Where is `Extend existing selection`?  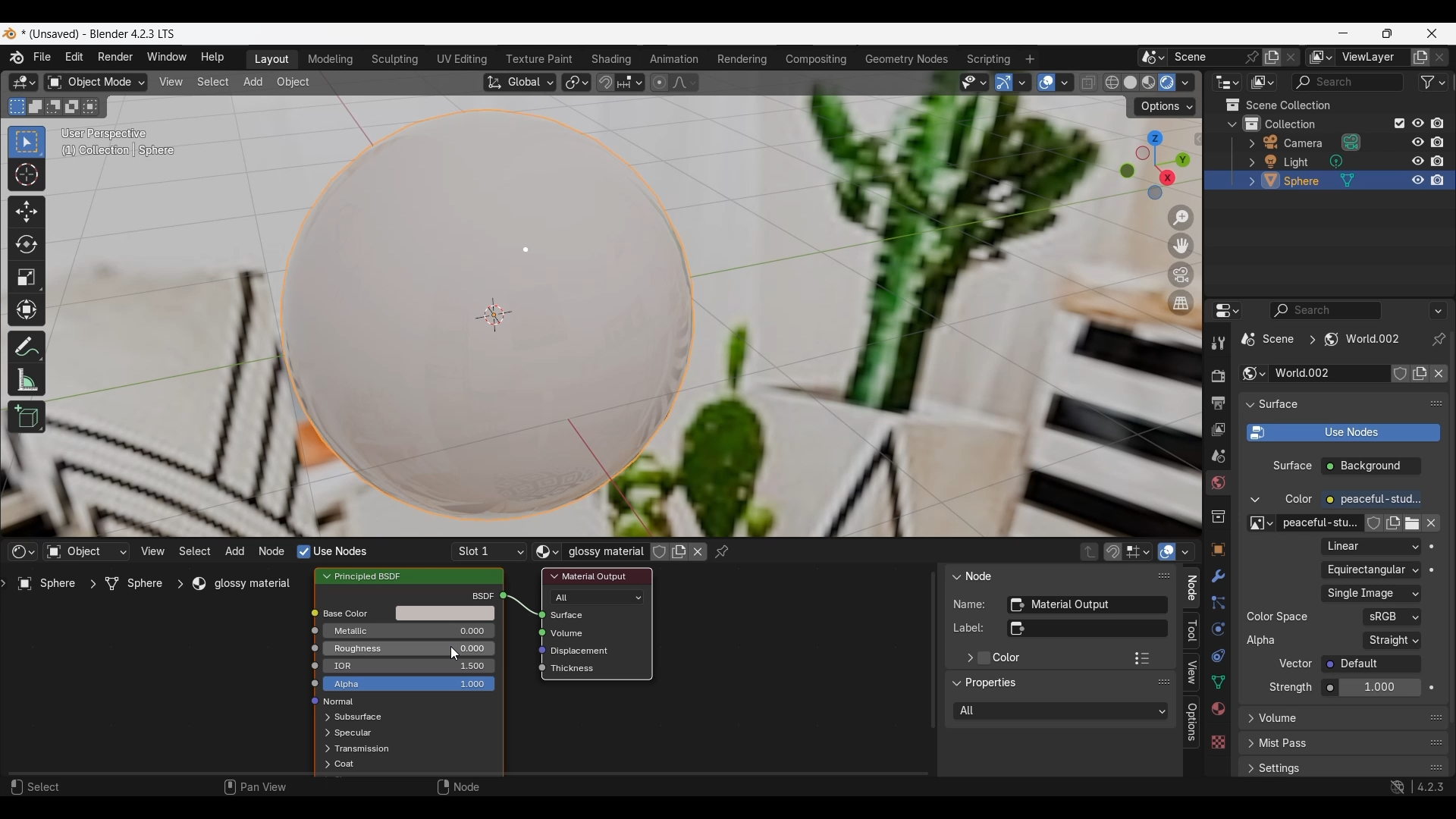 Extend existing selection is located at coordinates (35, 107).